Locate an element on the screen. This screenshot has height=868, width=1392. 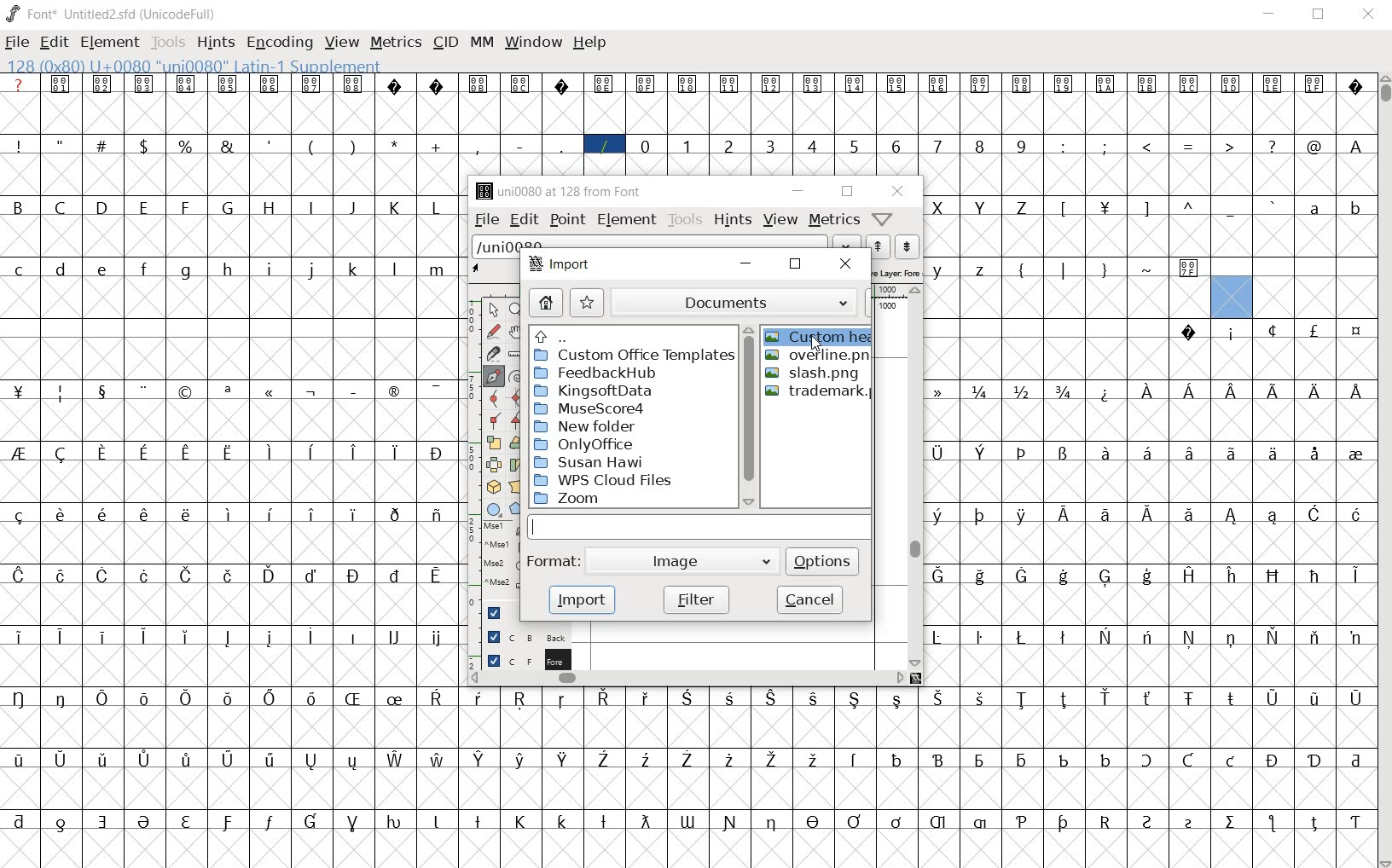
glyph is located at coordinates (1274, 205).